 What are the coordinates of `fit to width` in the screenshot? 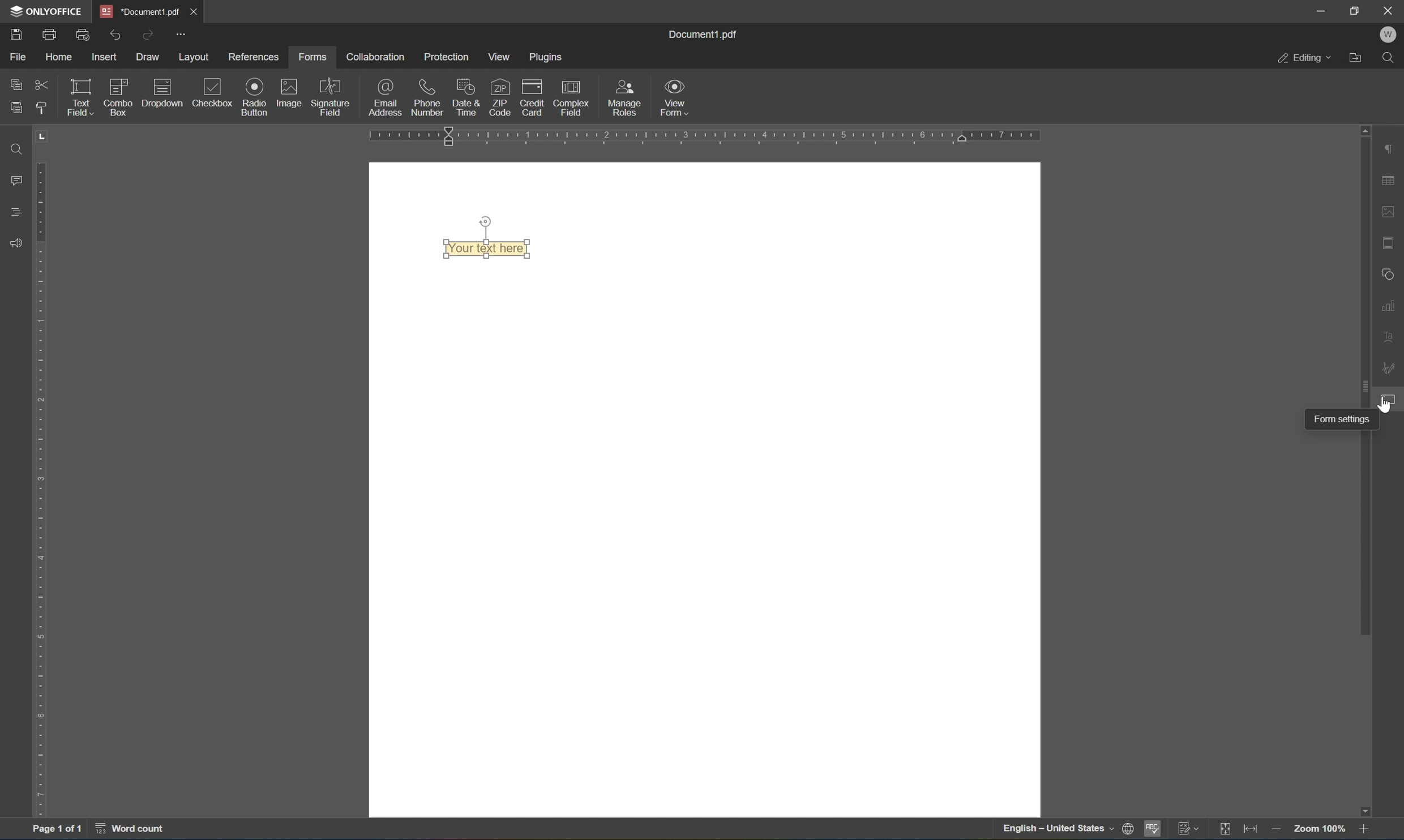 It's located at (1251, 832).